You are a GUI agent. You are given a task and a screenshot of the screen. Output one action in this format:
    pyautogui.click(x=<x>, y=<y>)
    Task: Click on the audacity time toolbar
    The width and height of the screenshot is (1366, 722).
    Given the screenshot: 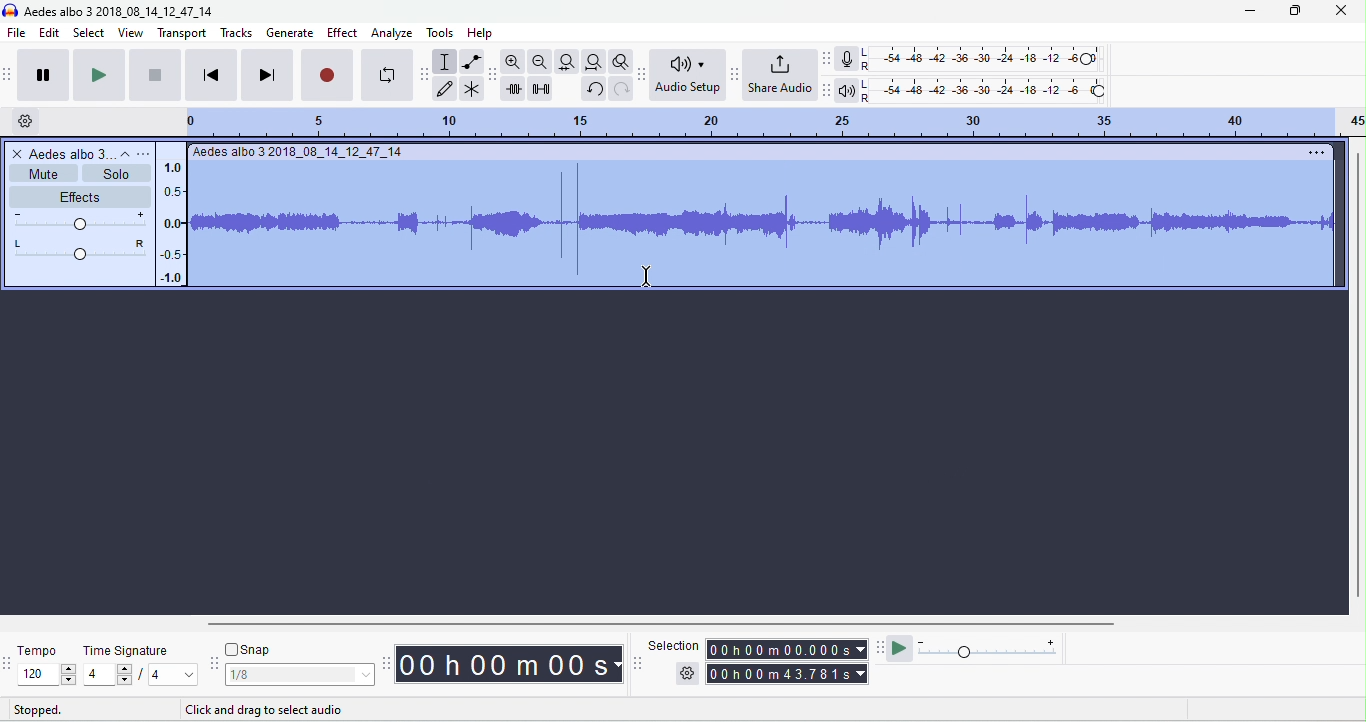 What is the action you would take?
    pyautogui.click(x=386, y=662)
    